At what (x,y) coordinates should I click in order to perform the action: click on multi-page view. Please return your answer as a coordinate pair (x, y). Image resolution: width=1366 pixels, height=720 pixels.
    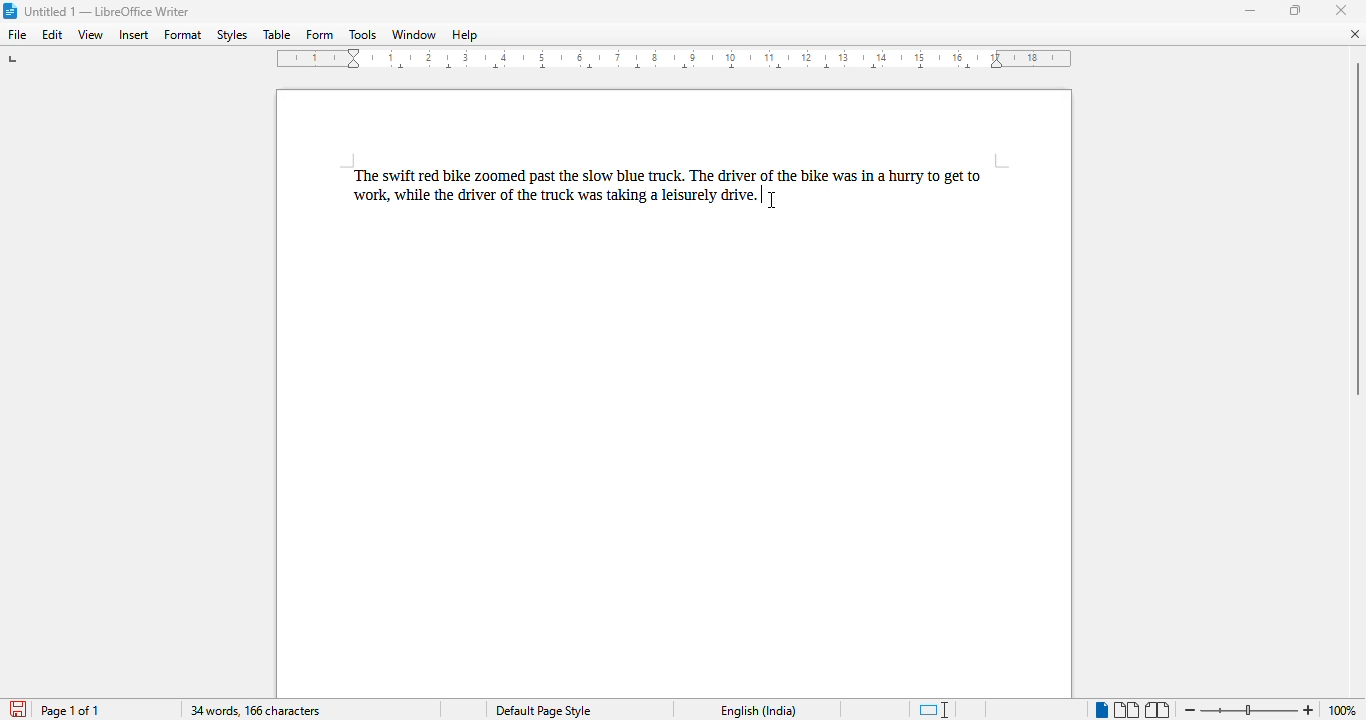
    Looking at the image, I should click on (1127, 710).